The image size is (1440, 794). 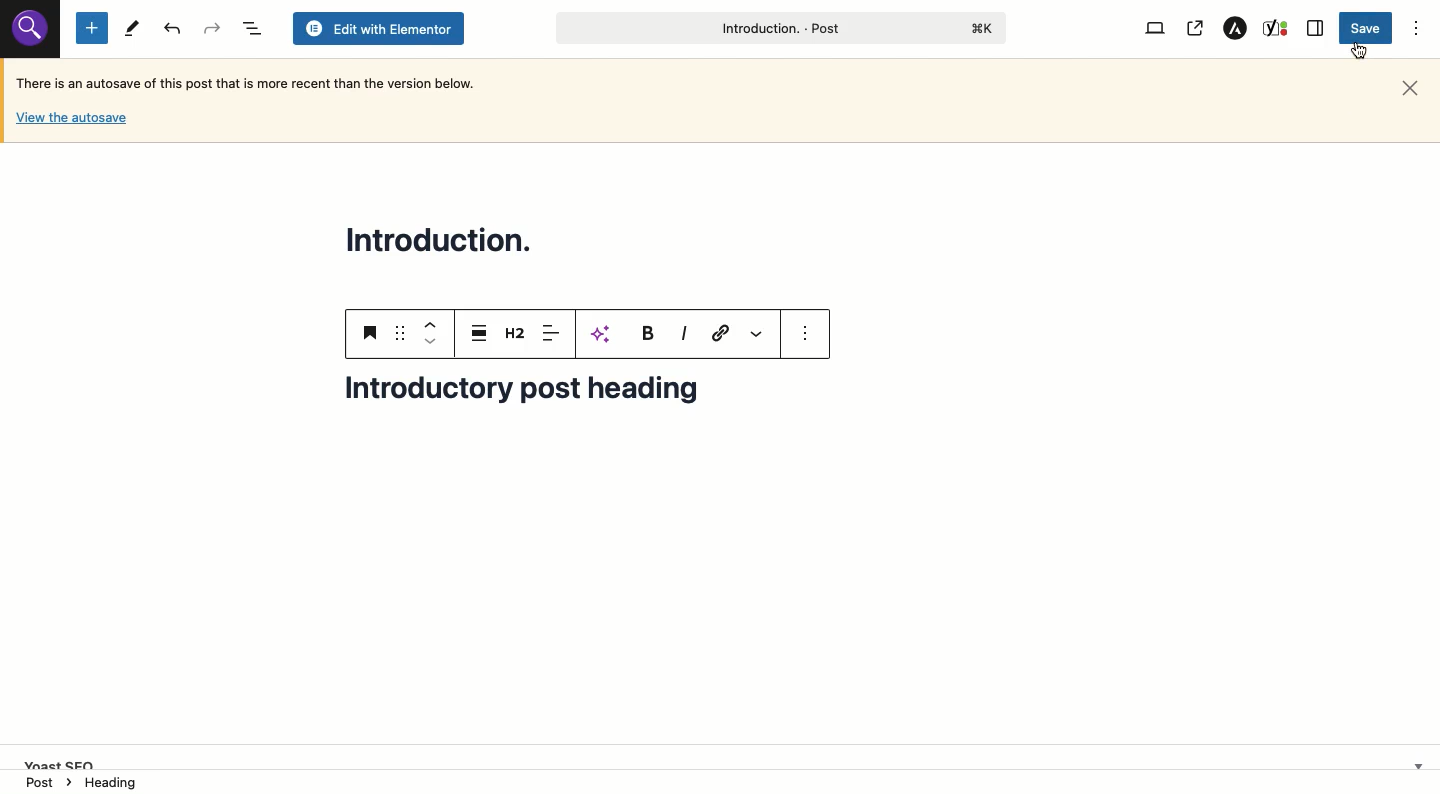 What do you see at coordinates (252, 82) in the screenshot?
I see `Autosave text` at bounding box center [252, 82].